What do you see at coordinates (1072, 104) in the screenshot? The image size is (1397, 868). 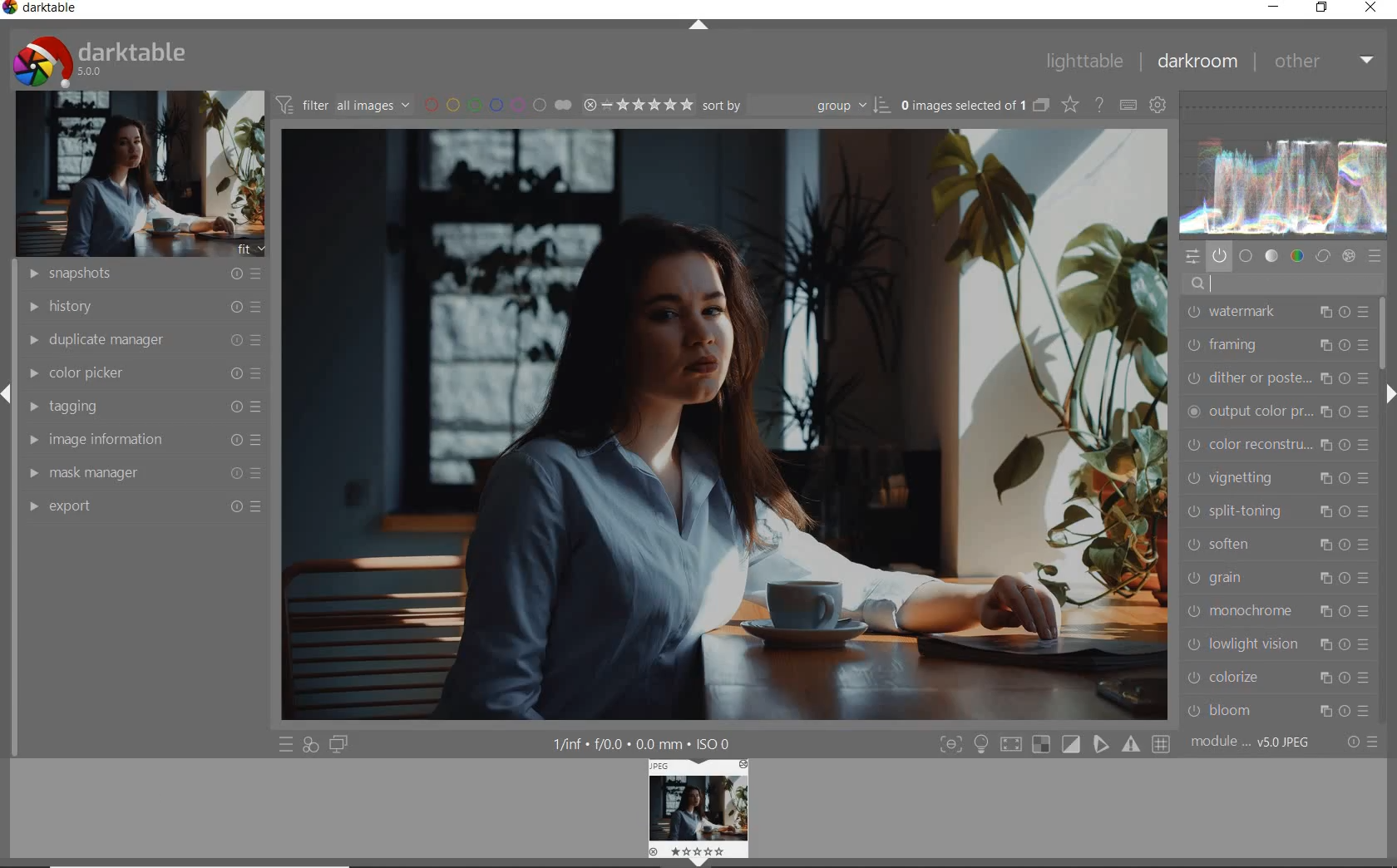 I see `change type of overlays` at bounding box center [1072, 104].